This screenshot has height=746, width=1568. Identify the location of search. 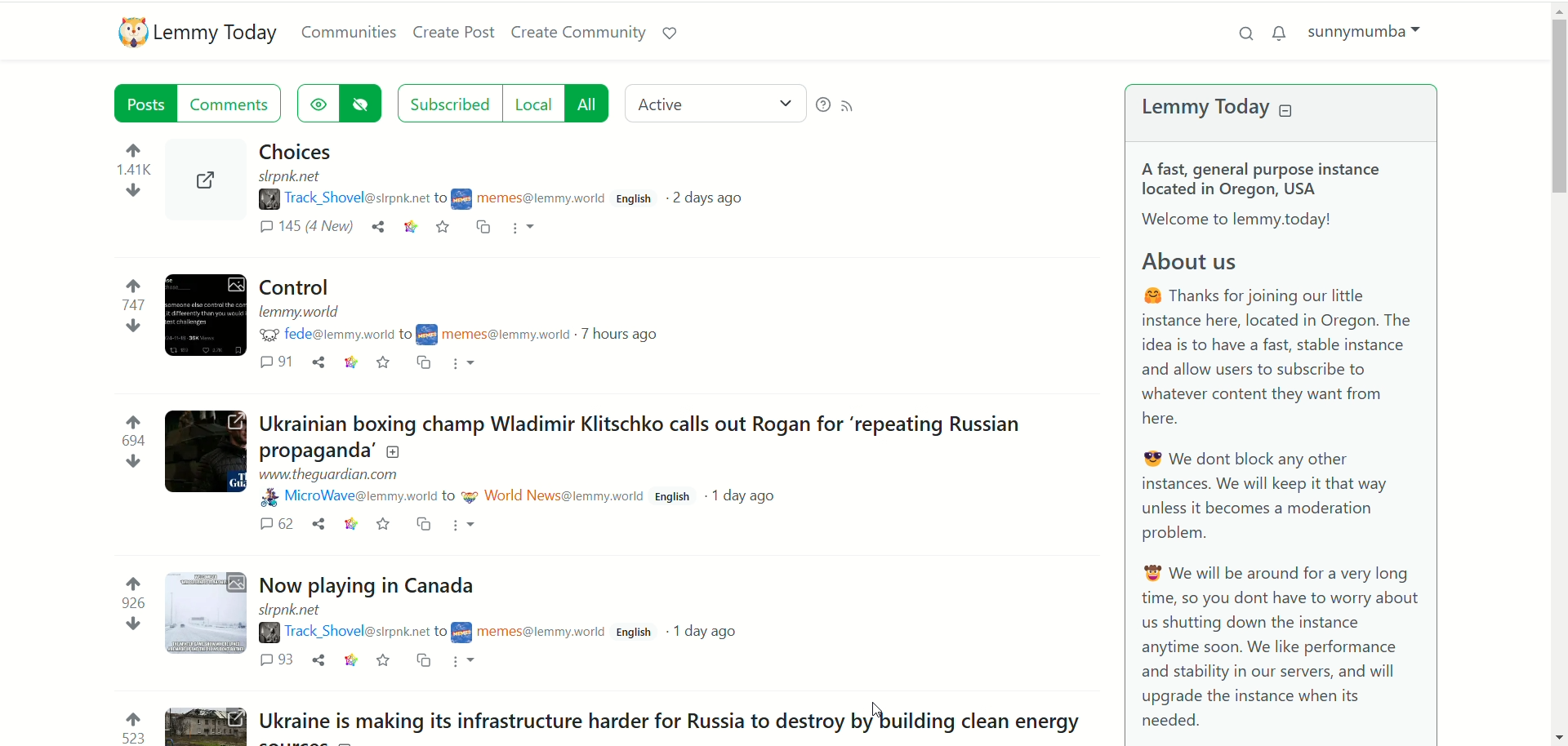
(1239, 33).